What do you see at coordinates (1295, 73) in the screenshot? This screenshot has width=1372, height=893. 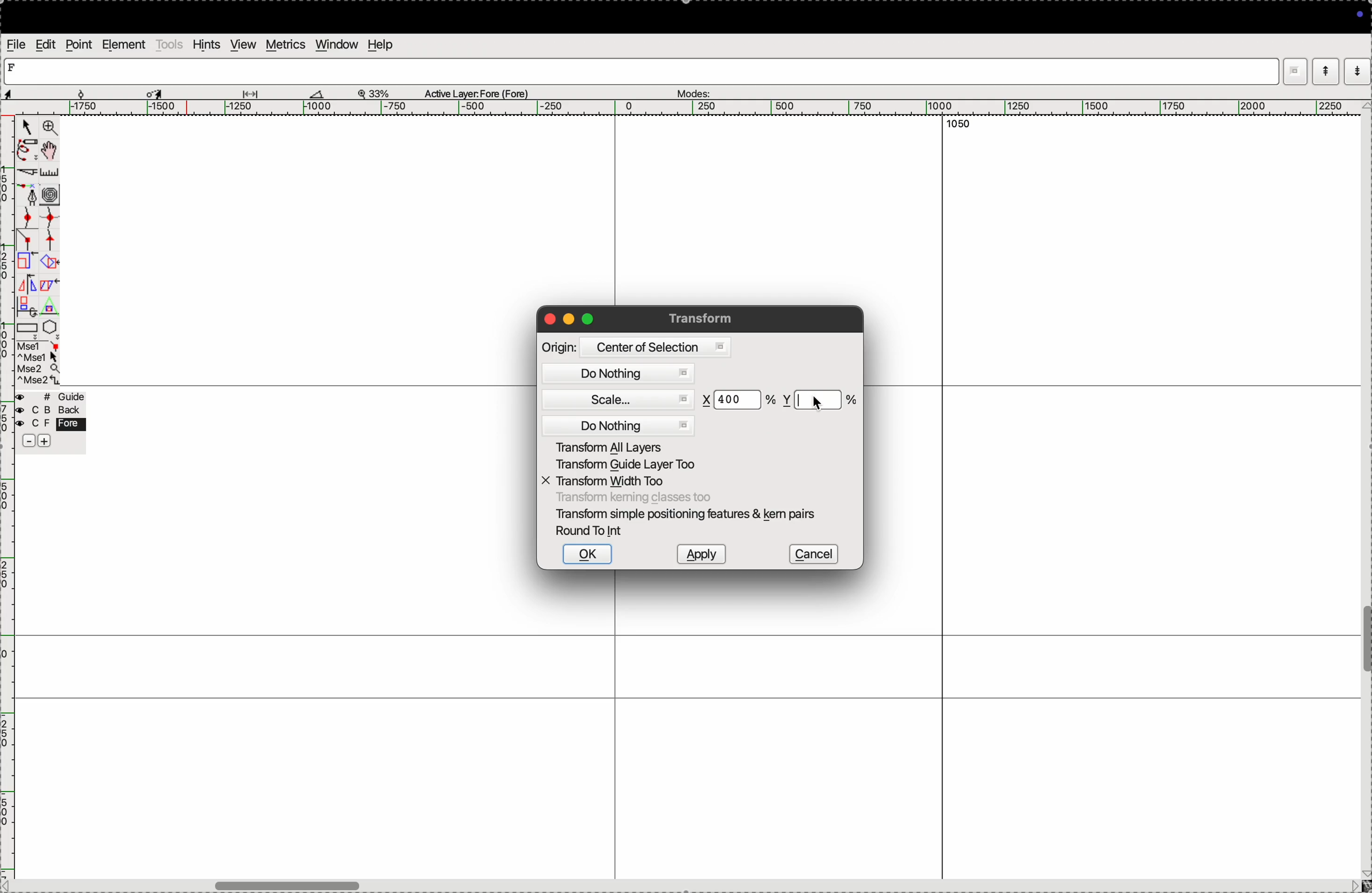 I see `window mode` at bounding box center [1295, 73].